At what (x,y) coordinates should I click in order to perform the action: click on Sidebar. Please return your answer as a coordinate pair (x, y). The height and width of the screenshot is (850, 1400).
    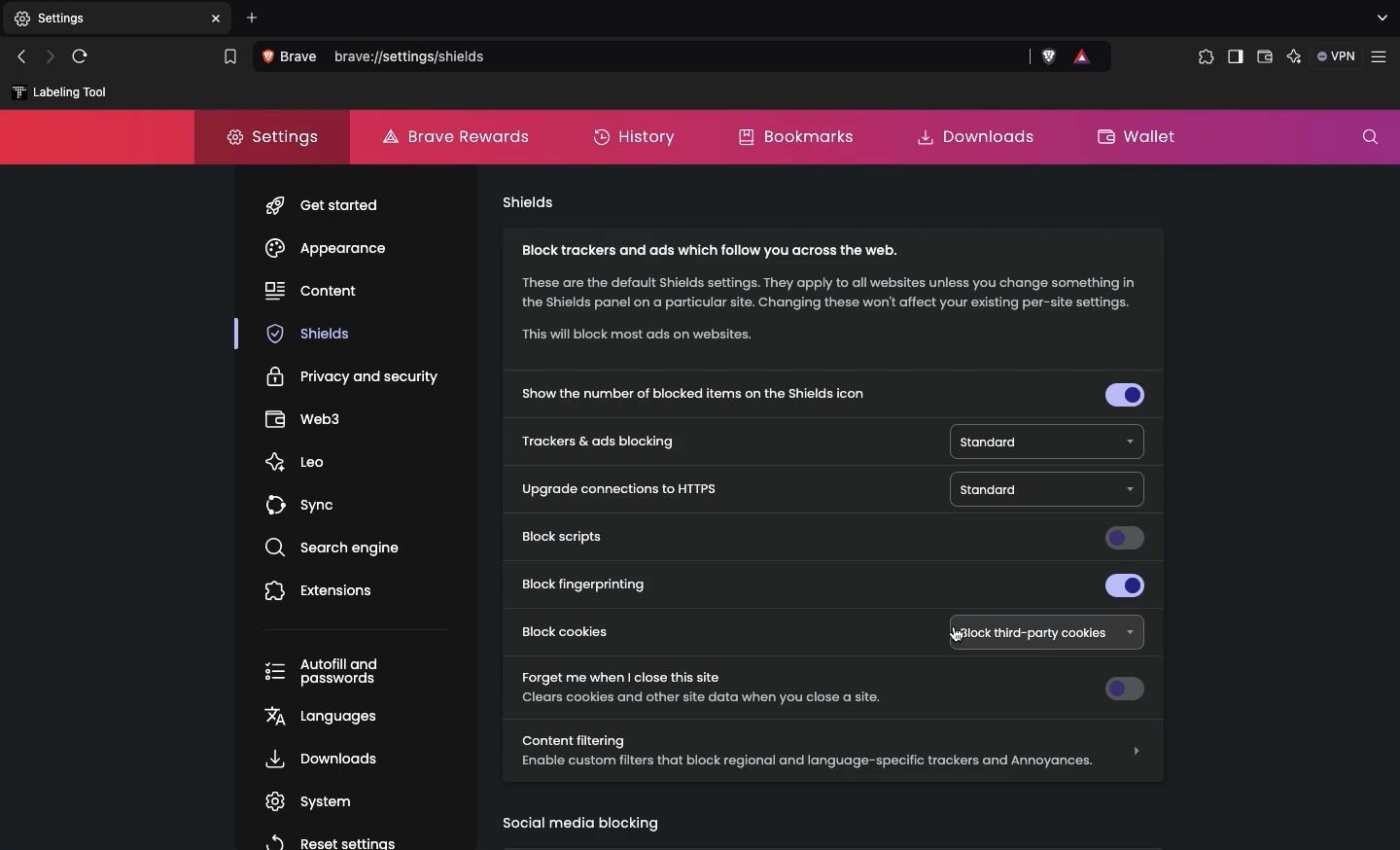
    Looking at the image, I should click on (1234, 58).